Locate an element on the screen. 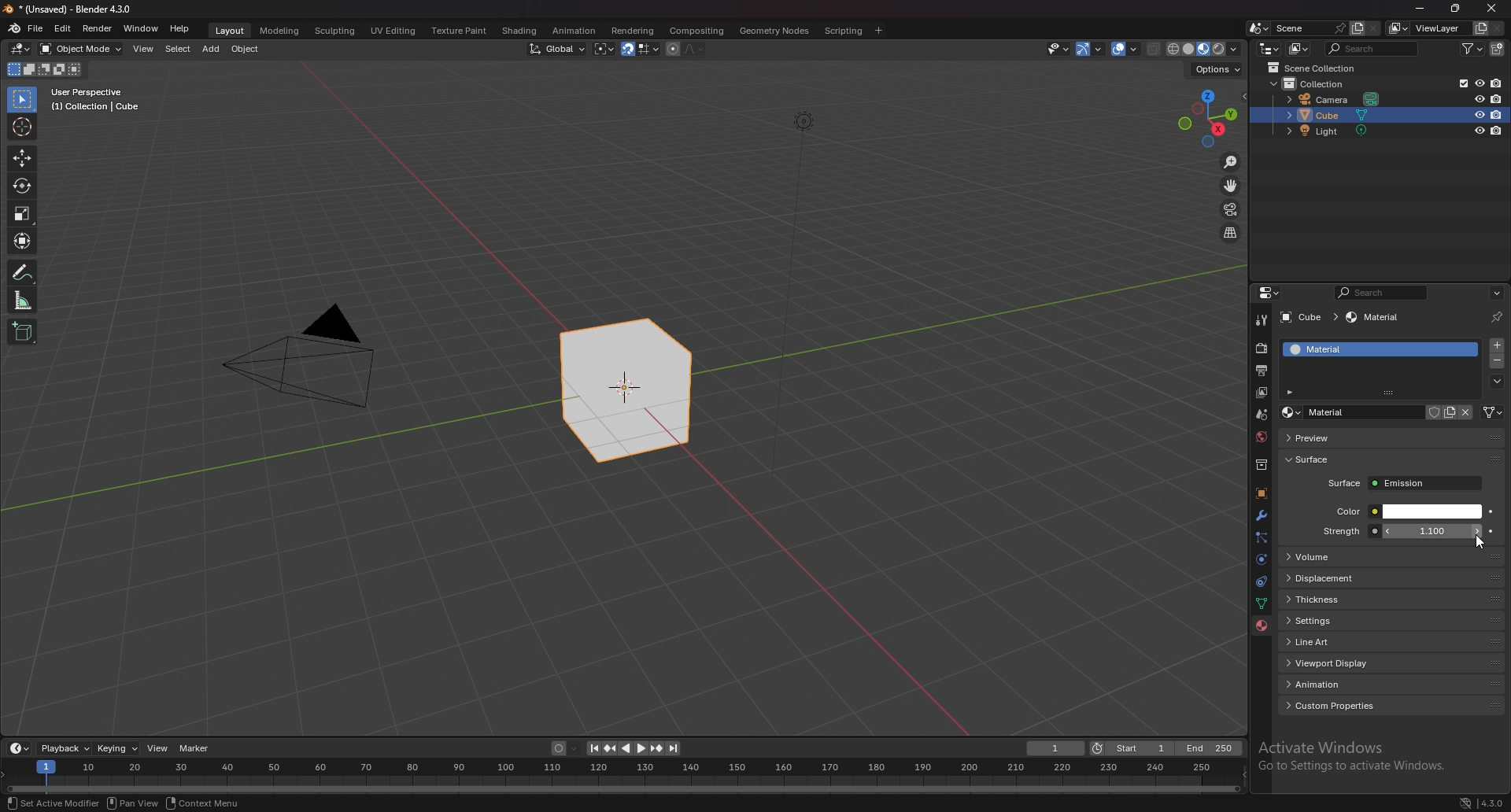 This screenshot has height=812, width=1511. scene is located at coordinates (1260, 415).